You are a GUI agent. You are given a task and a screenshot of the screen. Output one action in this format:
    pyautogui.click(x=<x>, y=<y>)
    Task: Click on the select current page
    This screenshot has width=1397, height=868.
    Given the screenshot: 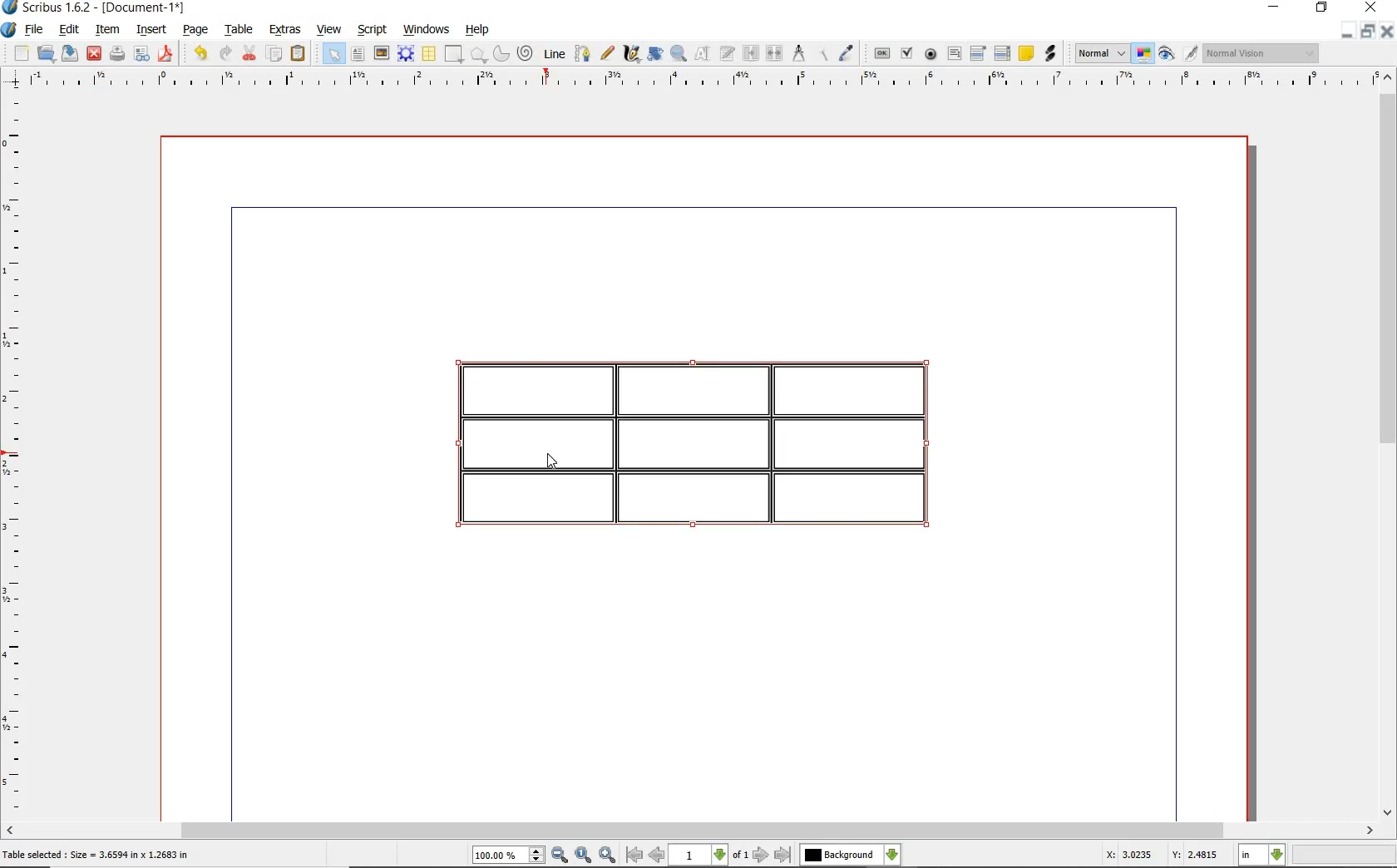 What is the action you would take?
    pyautogui.click(x=709, y=855)
    